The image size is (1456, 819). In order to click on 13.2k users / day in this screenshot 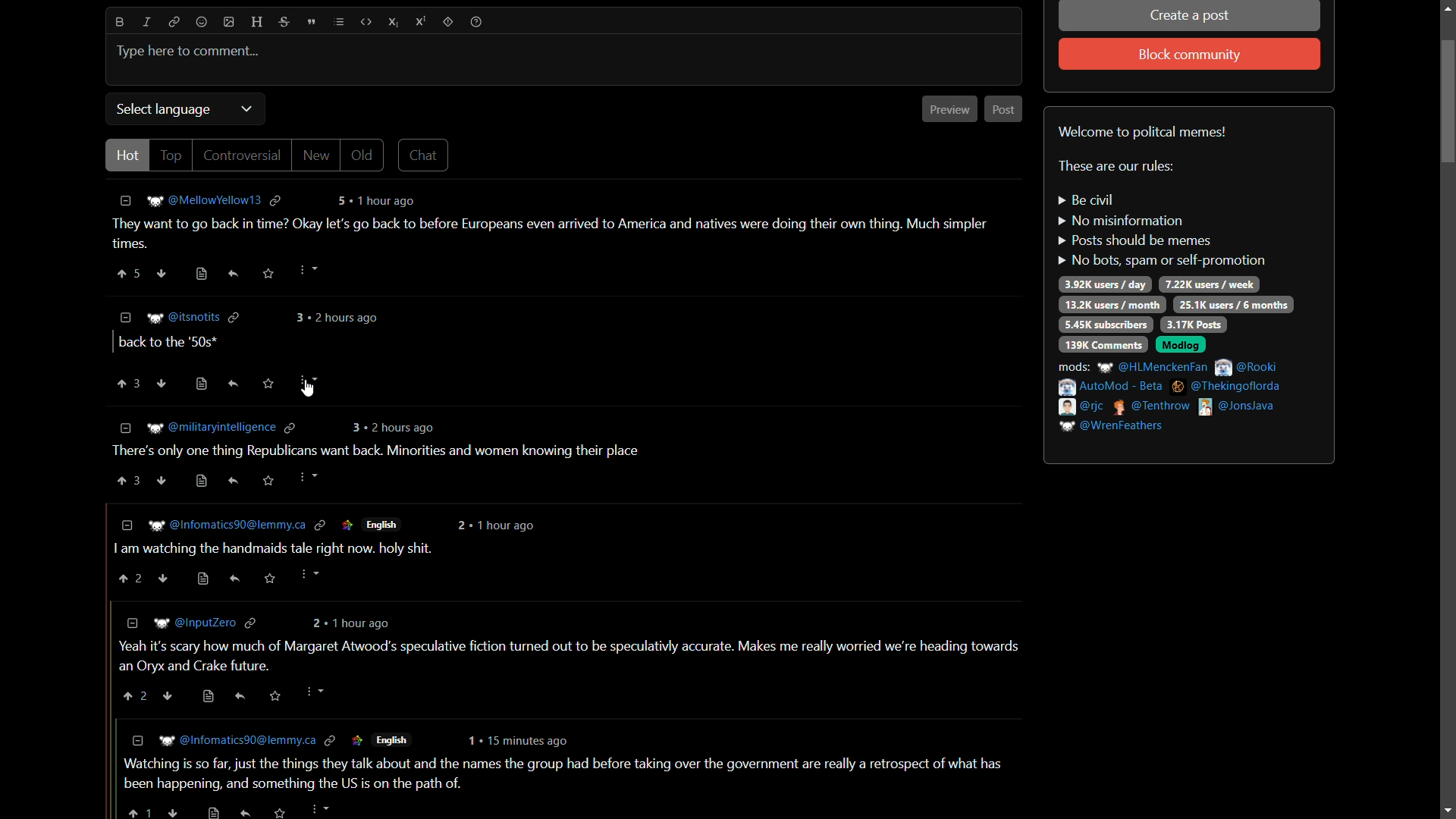, I will do `click(1111, 304)`.